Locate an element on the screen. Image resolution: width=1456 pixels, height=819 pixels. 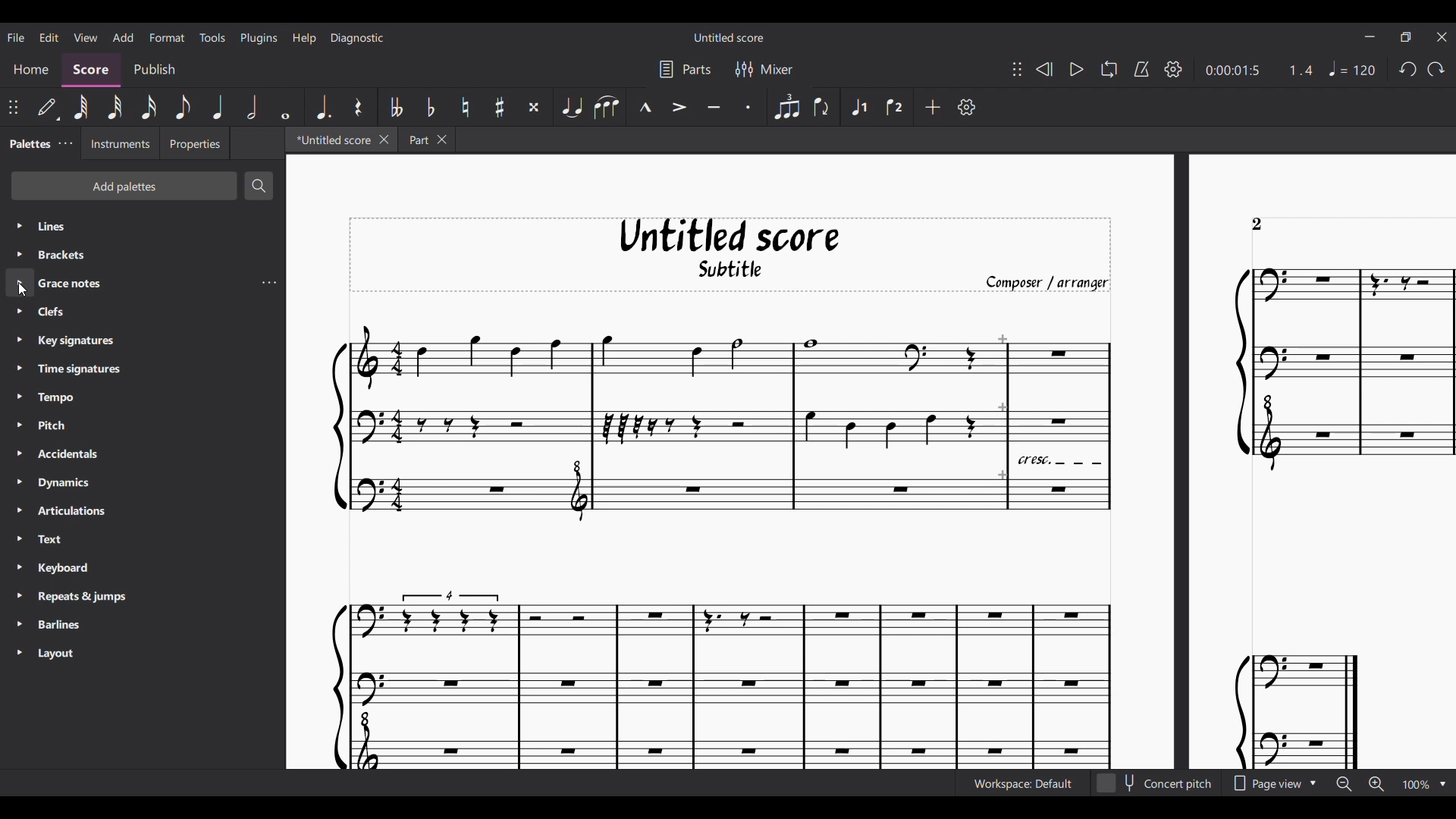
Change position of toolbar attached is located at coordinates (1016, 69).